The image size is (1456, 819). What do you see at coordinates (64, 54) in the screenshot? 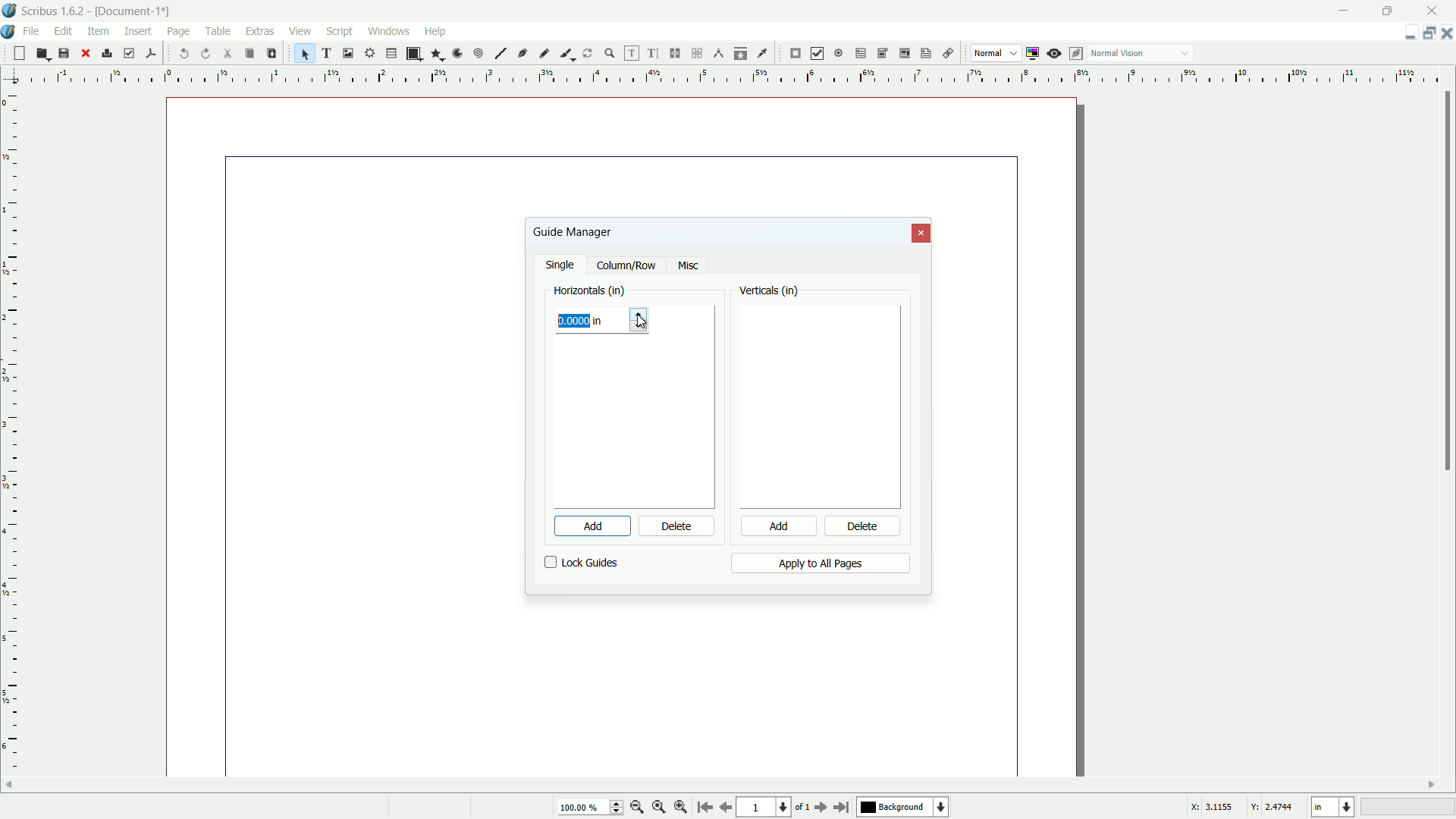
I see `save` at bounding box center [64, 54].